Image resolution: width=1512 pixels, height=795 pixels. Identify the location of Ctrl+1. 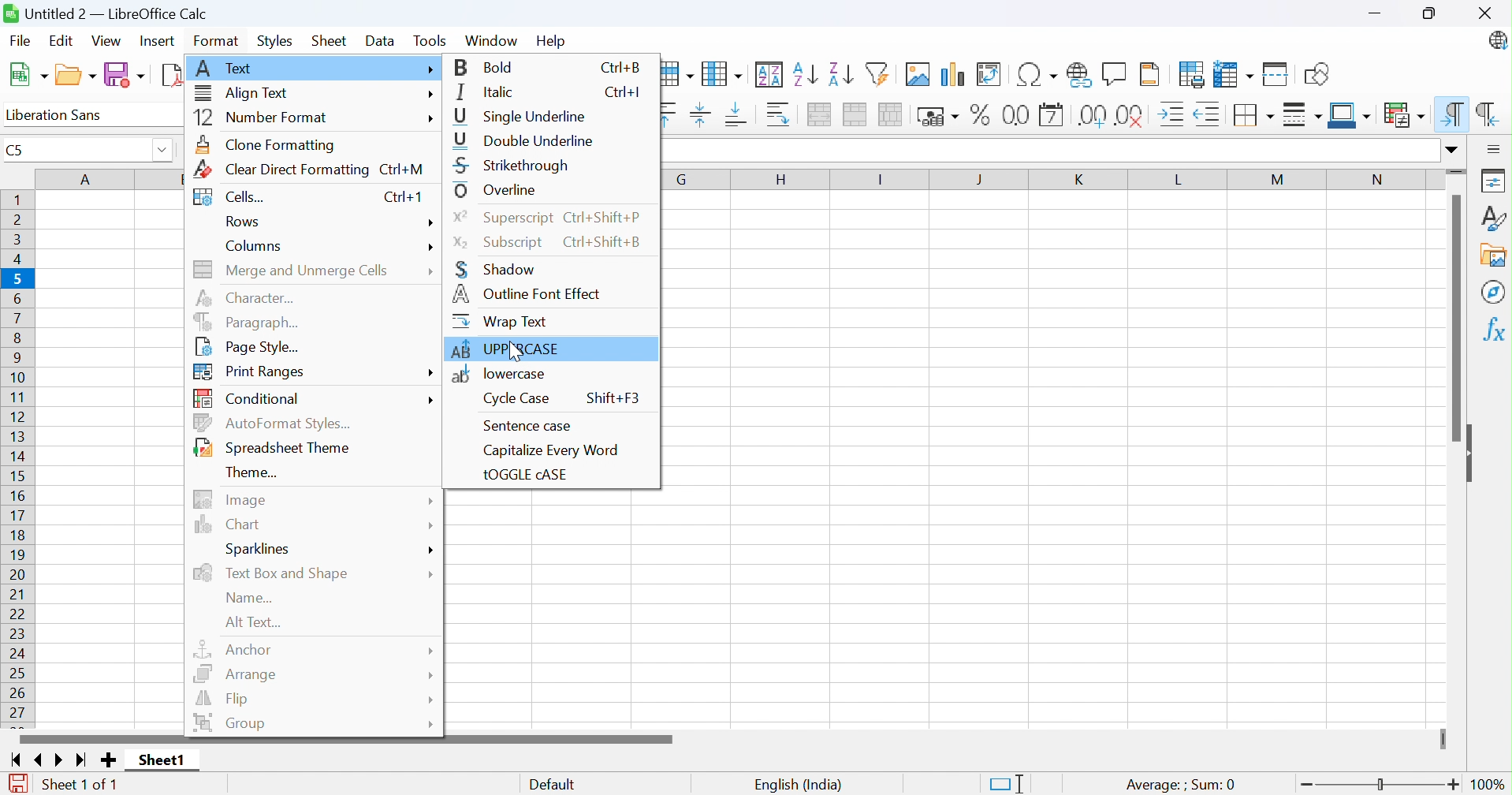
(404, 198).